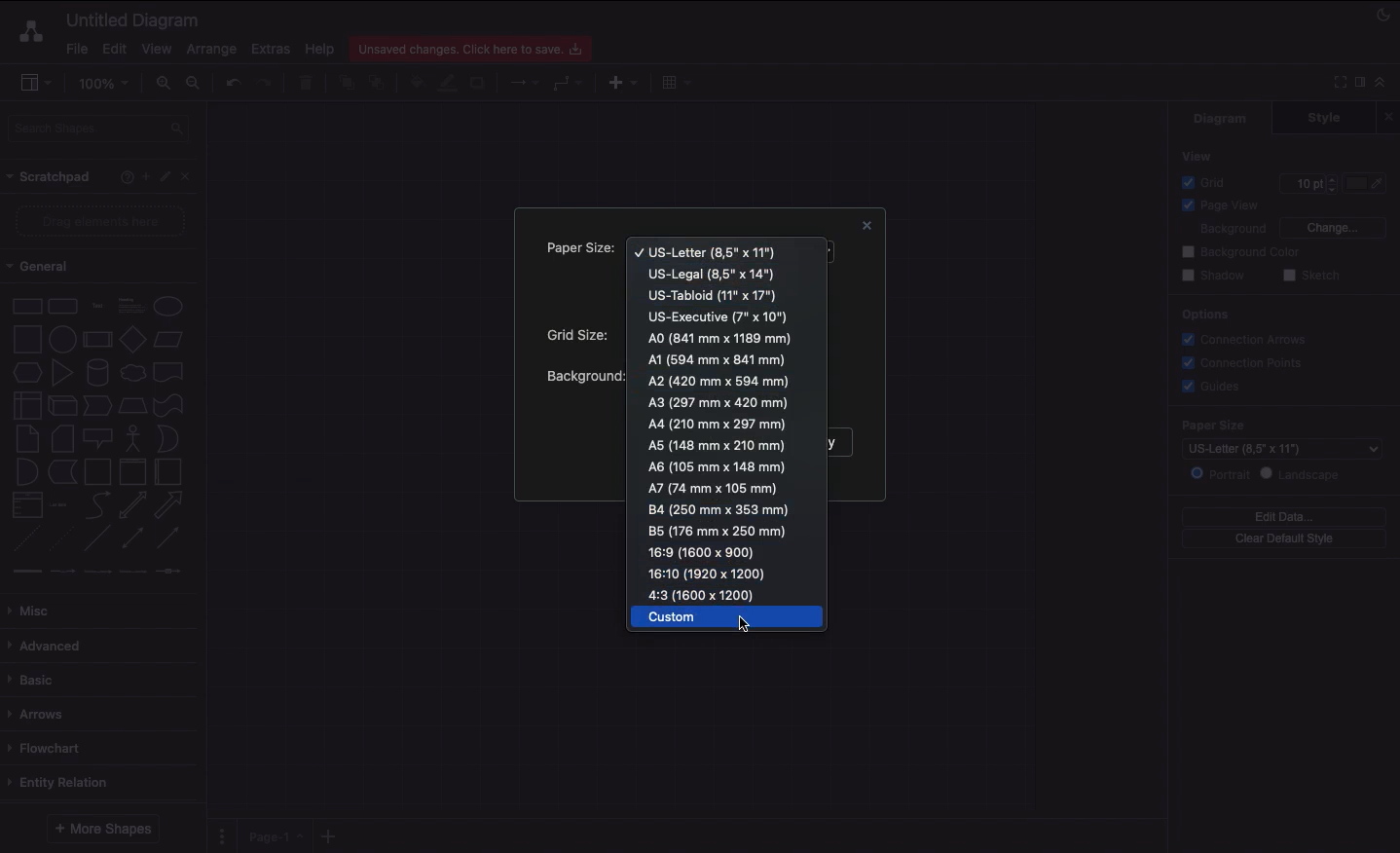 The image size is (1400, 853). Describe the element at coordinates (97, 307) in the screenshot. I see `Text` at that location.